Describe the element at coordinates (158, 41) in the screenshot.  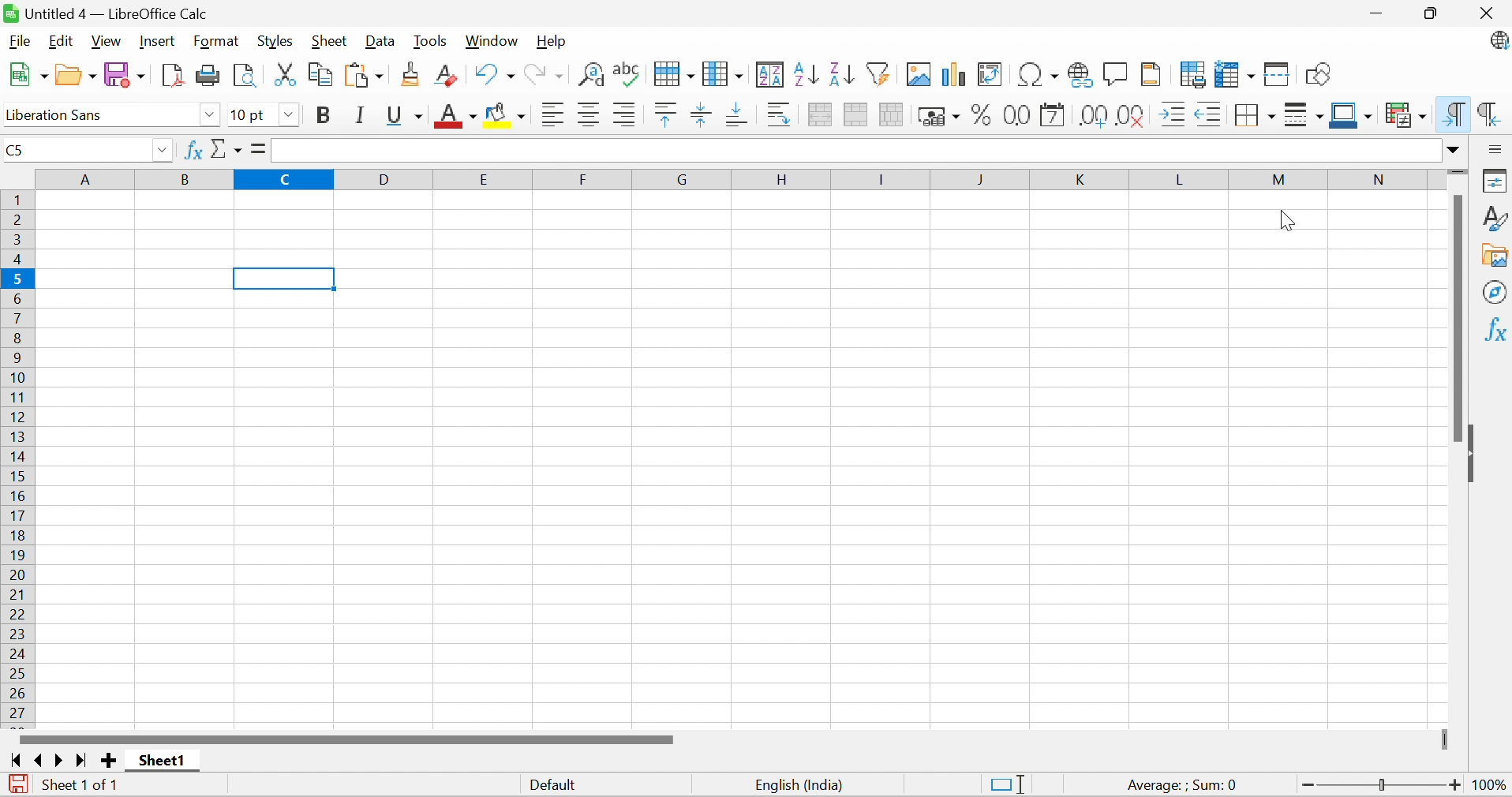
I see `Insert` at that location.